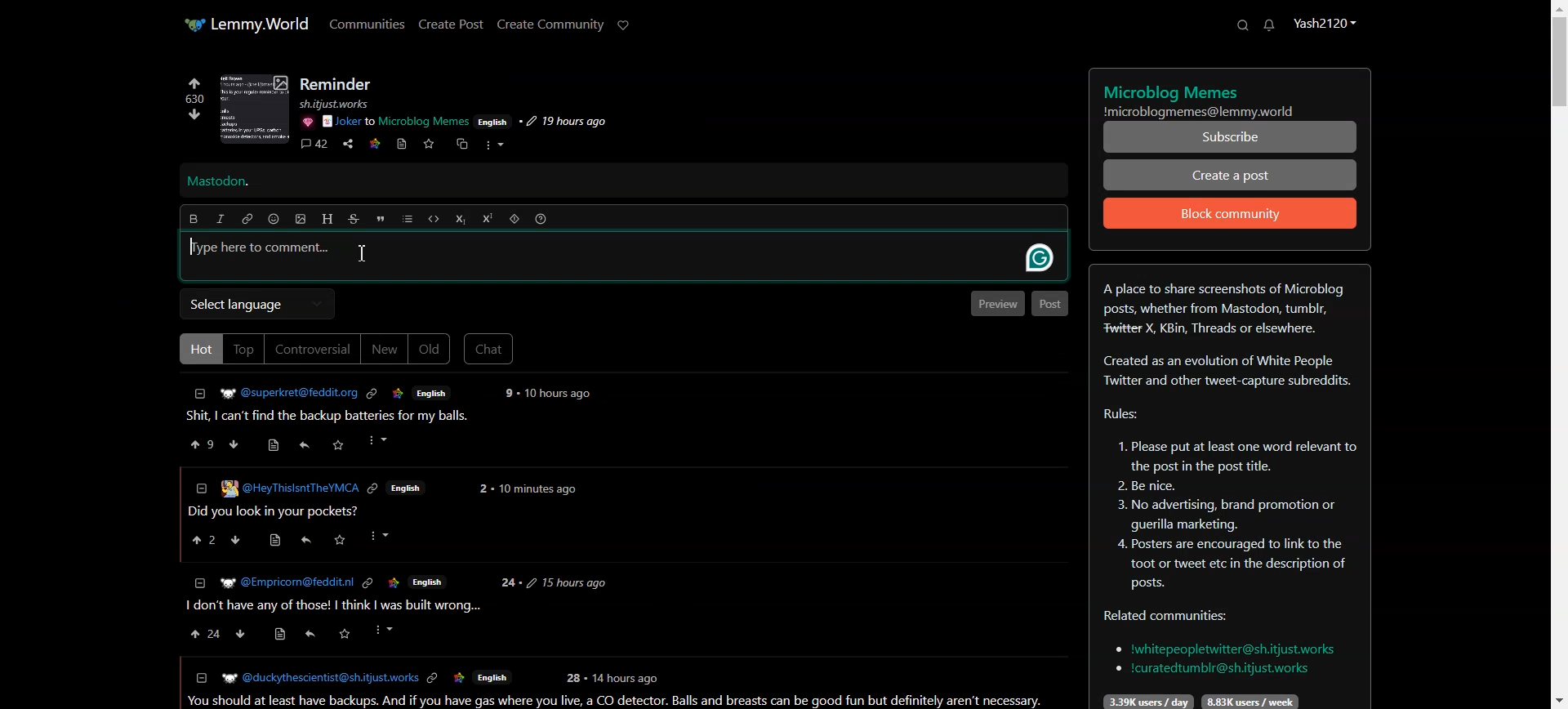 Image resolution: width=1568 pixels, height=709 pixels. What do you see at coordinates (514, 219) in the screenshot?
I see `Spoiler` at bounding box center [514, 219].